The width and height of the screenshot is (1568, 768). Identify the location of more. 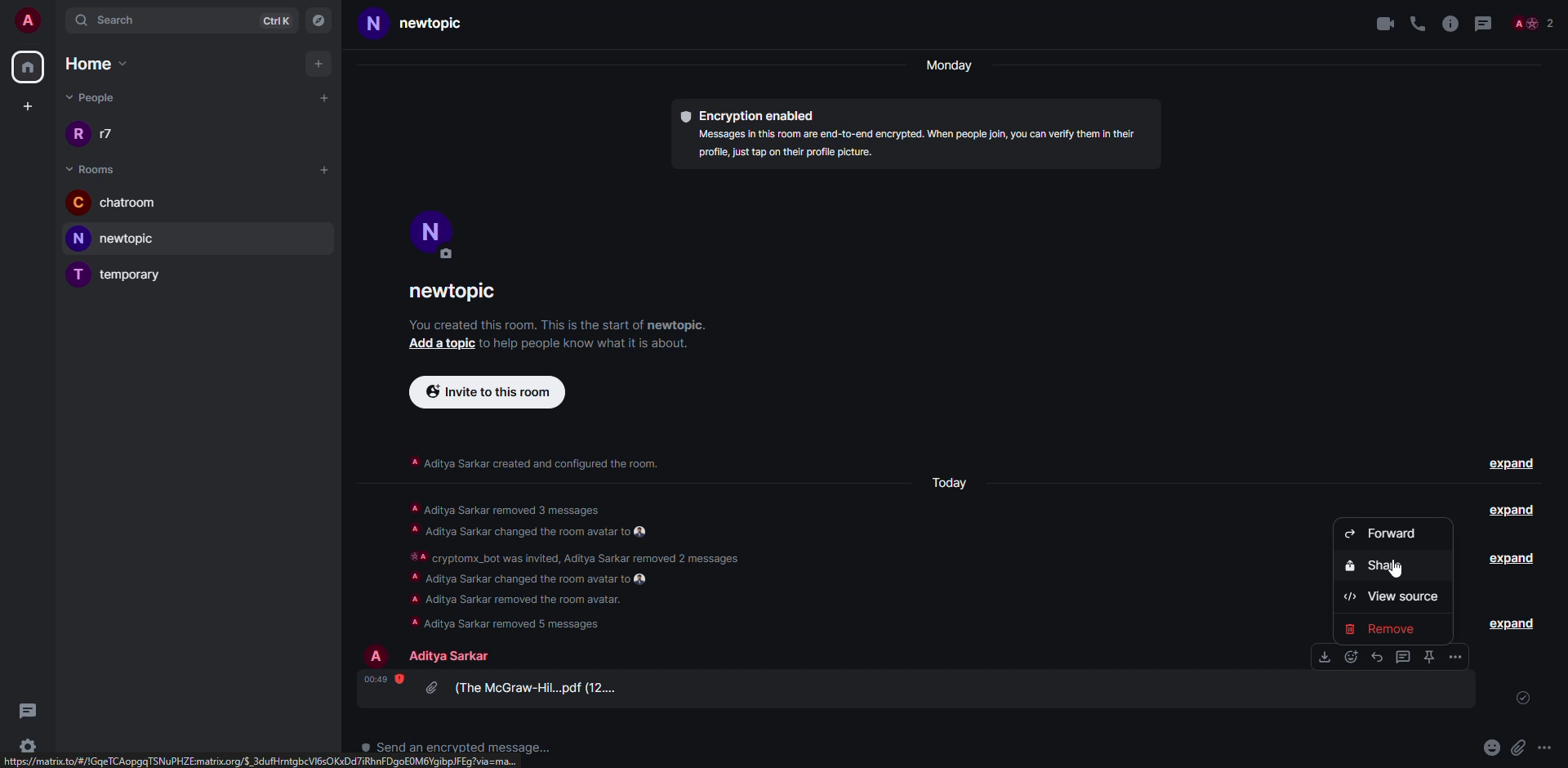
(1543, 747).